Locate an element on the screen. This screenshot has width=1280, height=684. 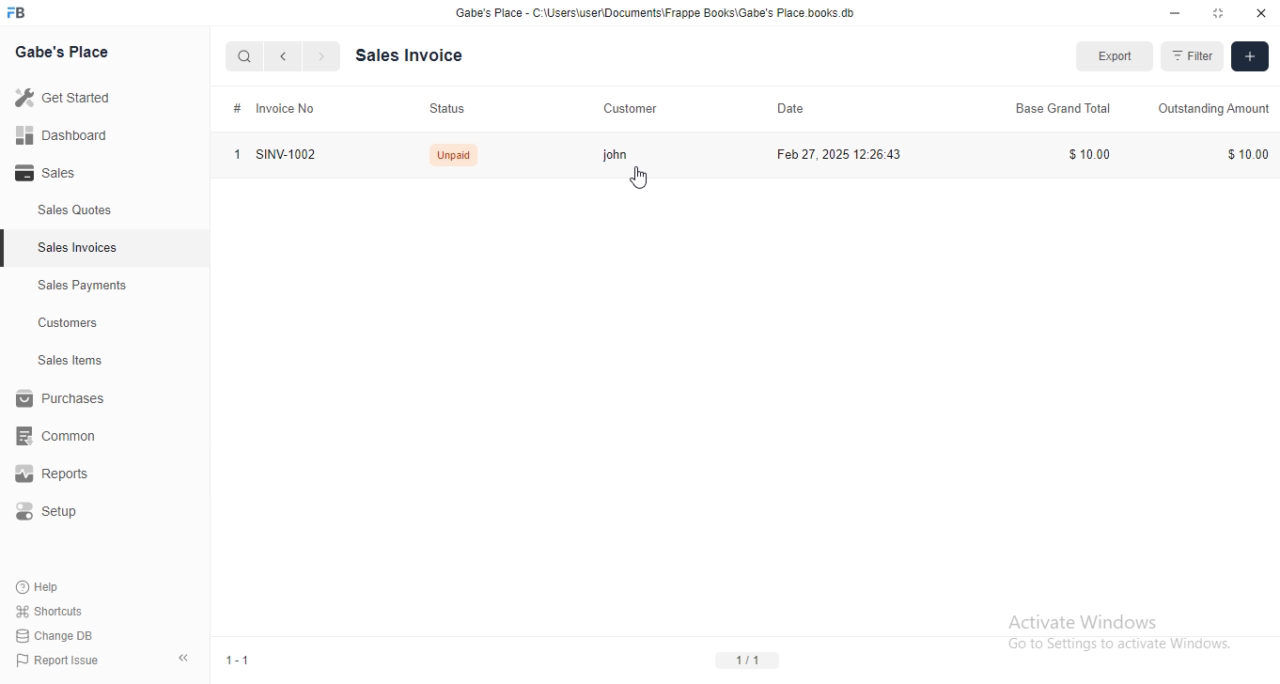
$10.00 is located at coordinates (1248, 154).